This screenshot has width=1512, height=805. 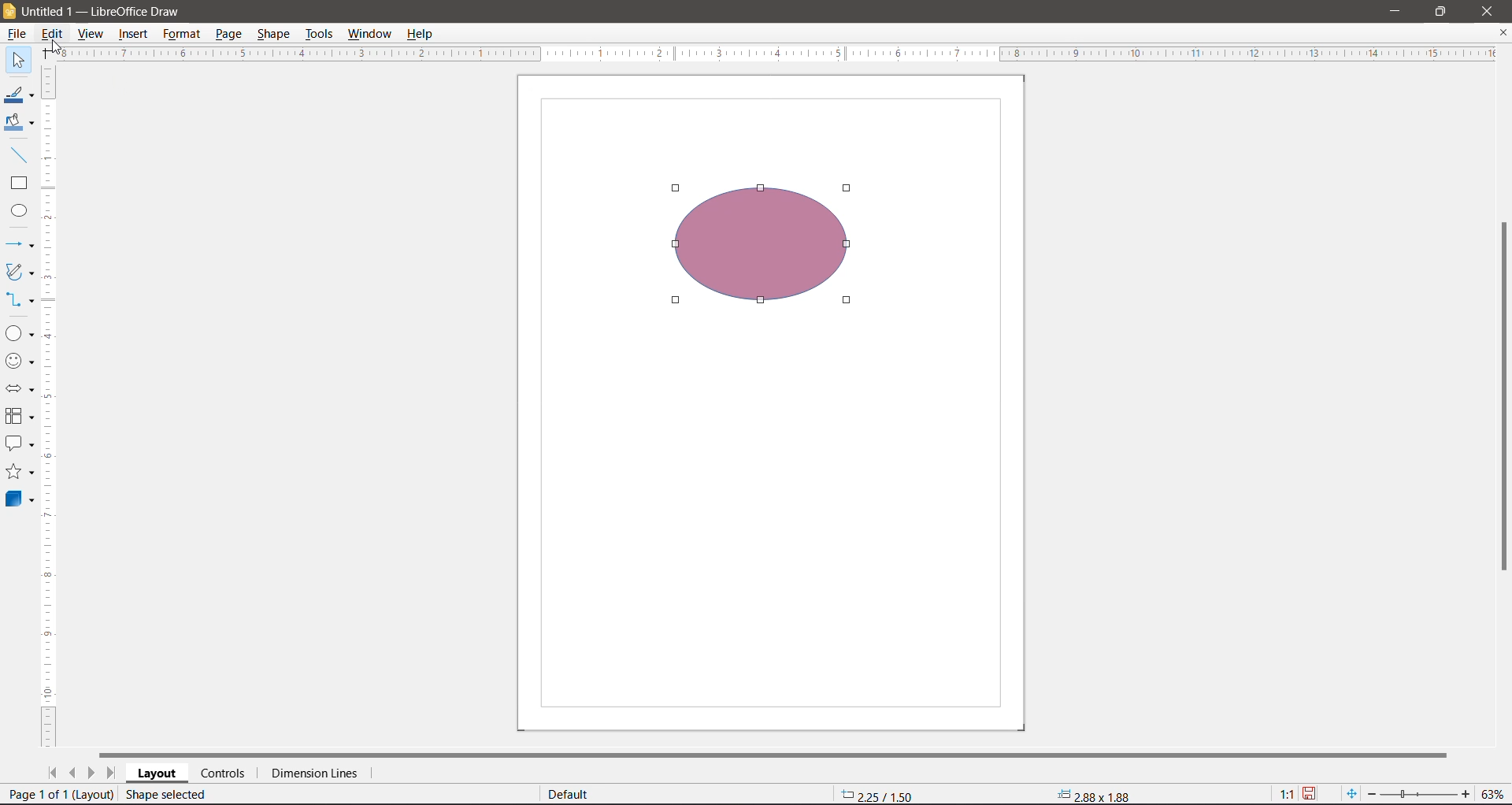 What do you see at coordinates (20, 333) in the screenshot?
I see `Basic Shapes` at bounding box center [20, 333].